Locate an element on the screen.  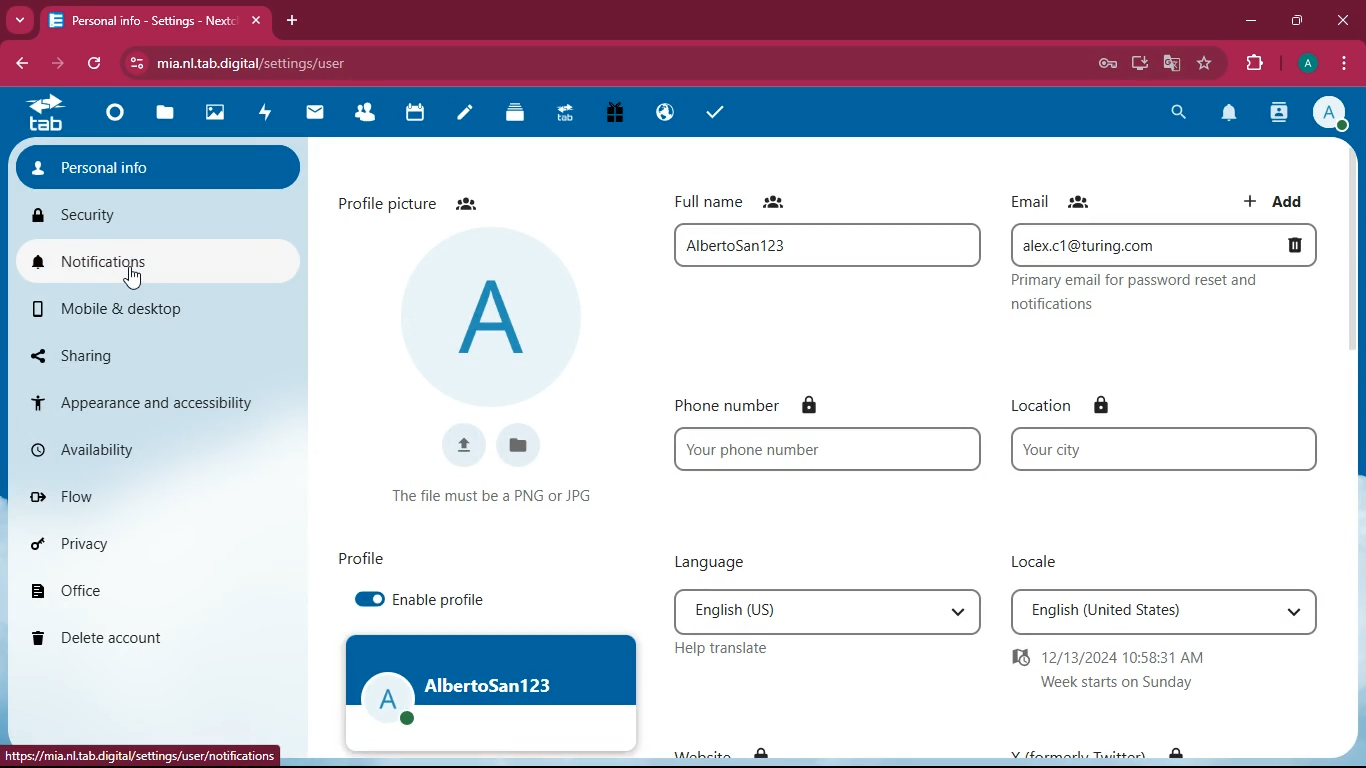
activity is located at coordinates (267, 112).